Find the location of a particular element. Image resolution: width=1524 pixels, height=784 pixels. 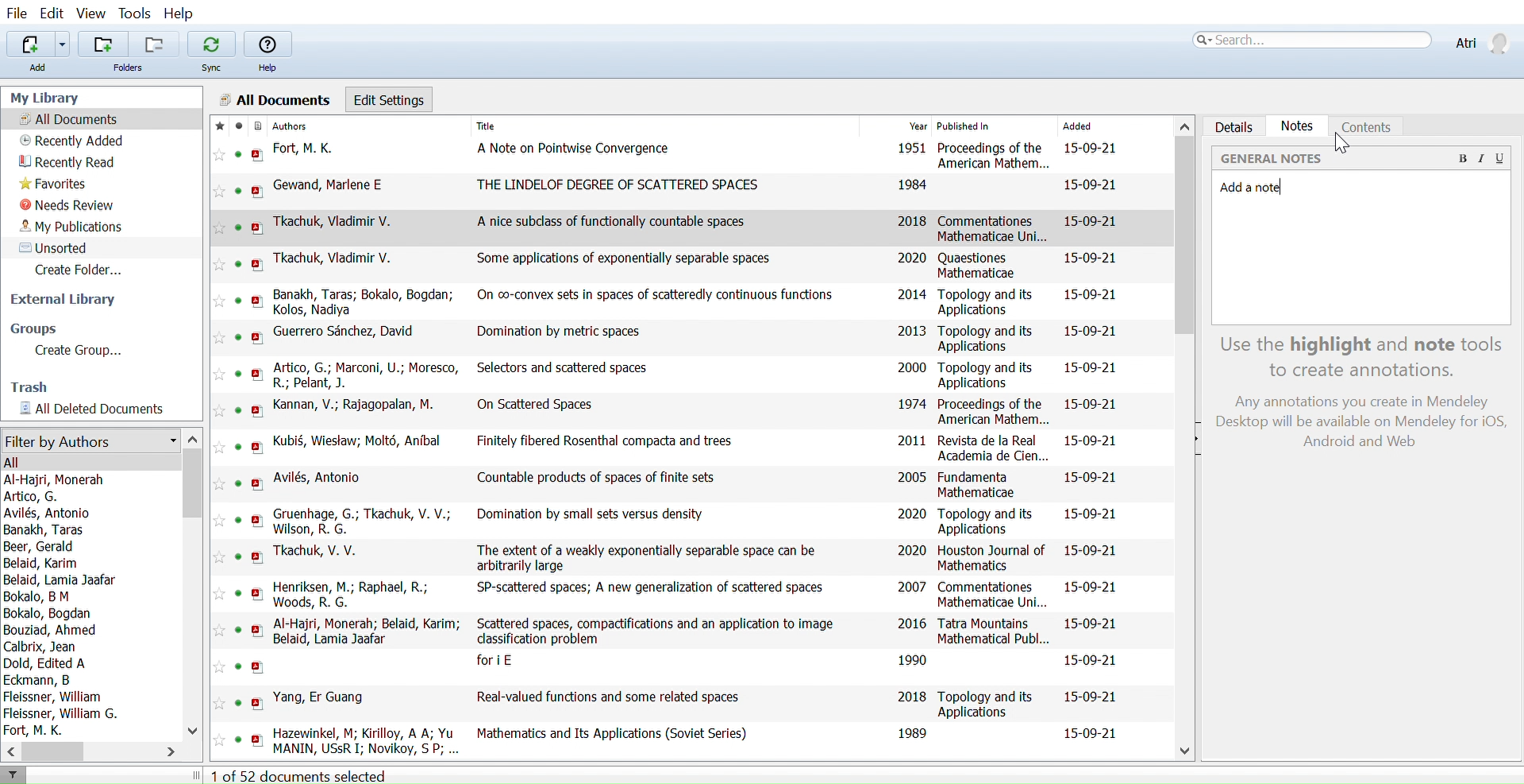

Recently read is located at coordinates (70, 163).